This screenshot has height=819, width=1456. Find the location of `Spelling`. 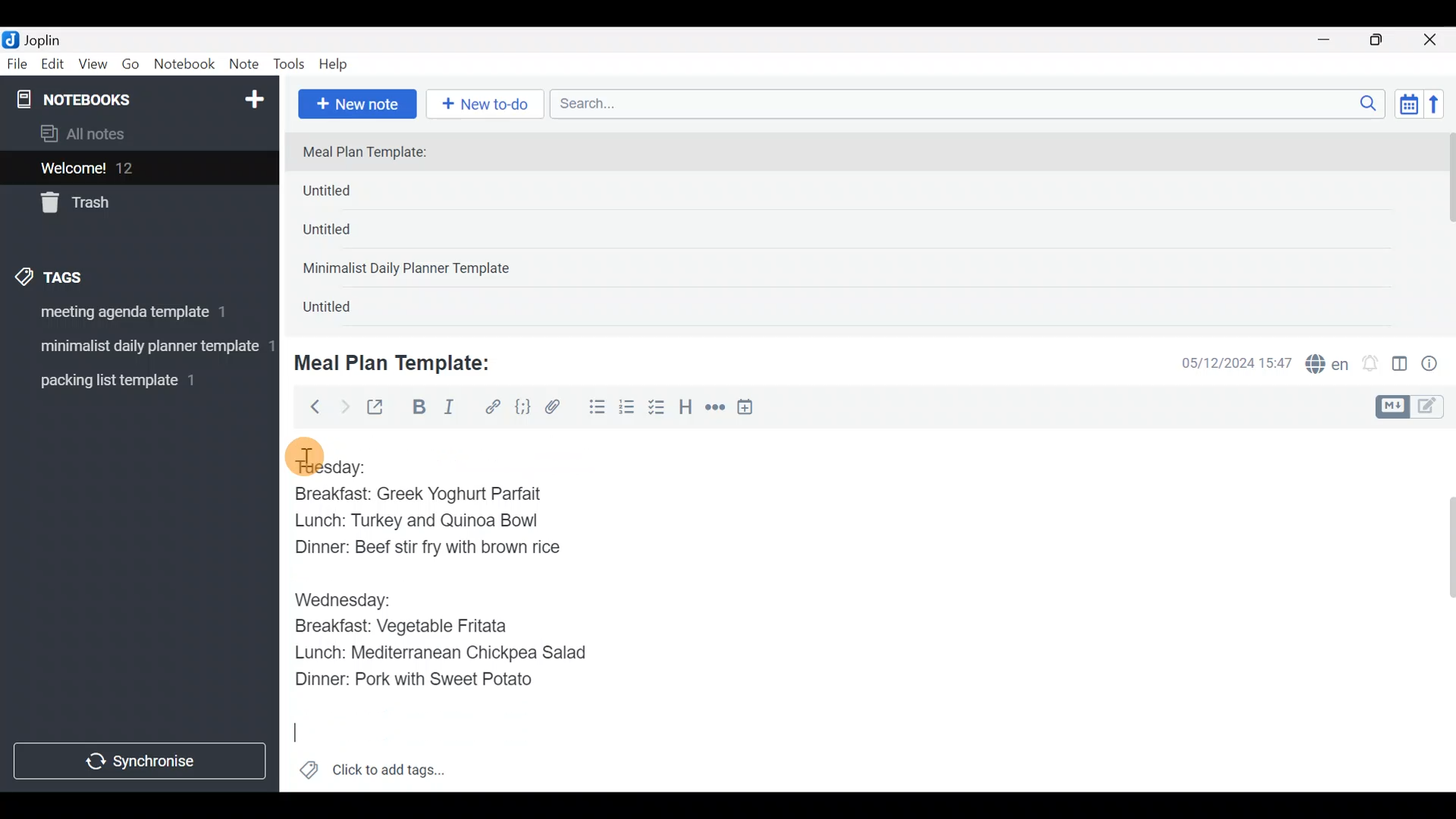

Spelling is located at coordinates (1328, 366).